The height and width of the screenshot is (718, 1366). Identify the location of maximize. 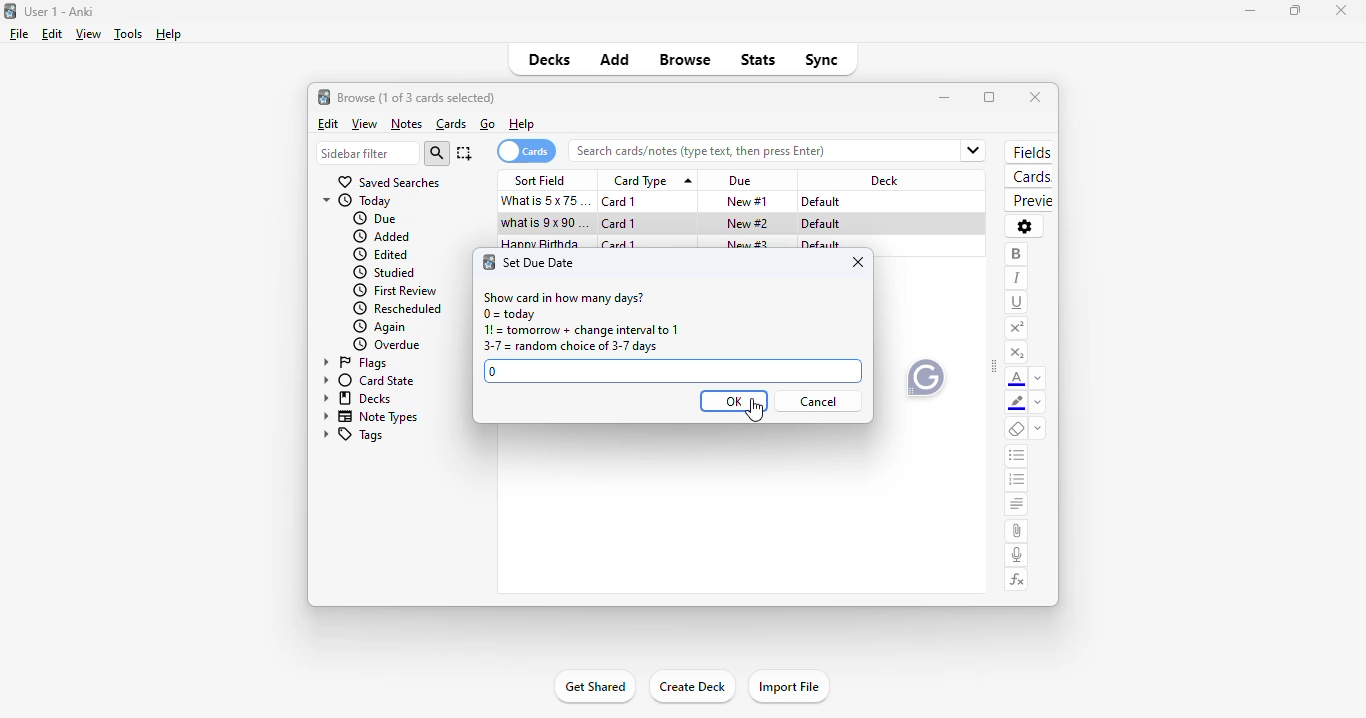
(1295, 11).